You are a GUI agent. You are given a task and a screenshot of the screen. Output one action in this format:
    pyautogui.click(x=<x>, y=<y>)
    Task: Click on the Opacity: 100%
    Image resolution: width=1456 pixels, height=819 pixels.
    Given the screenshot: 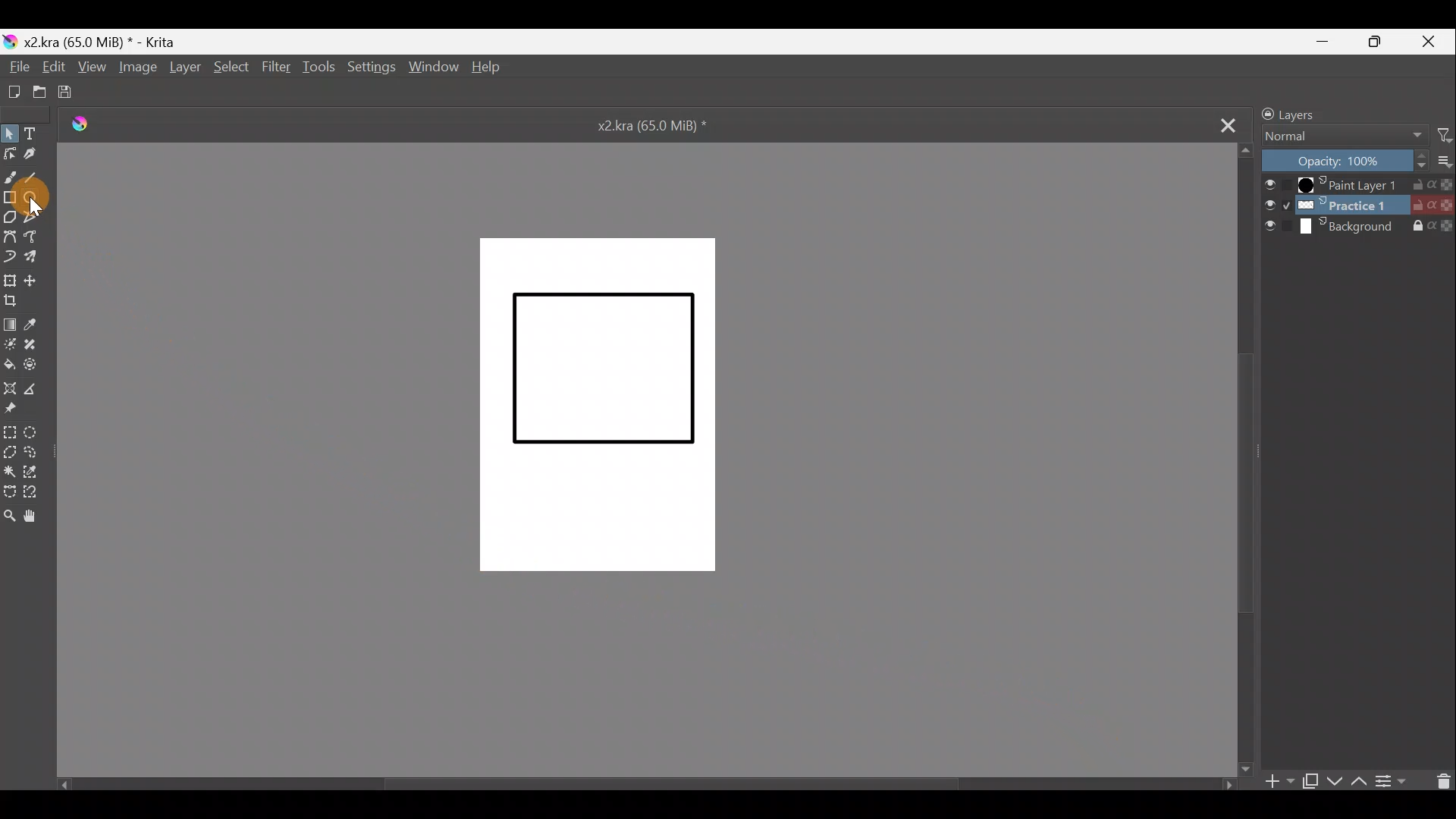 What is the action you would take?
    pyautogui.click(x=1339, y=160)
    